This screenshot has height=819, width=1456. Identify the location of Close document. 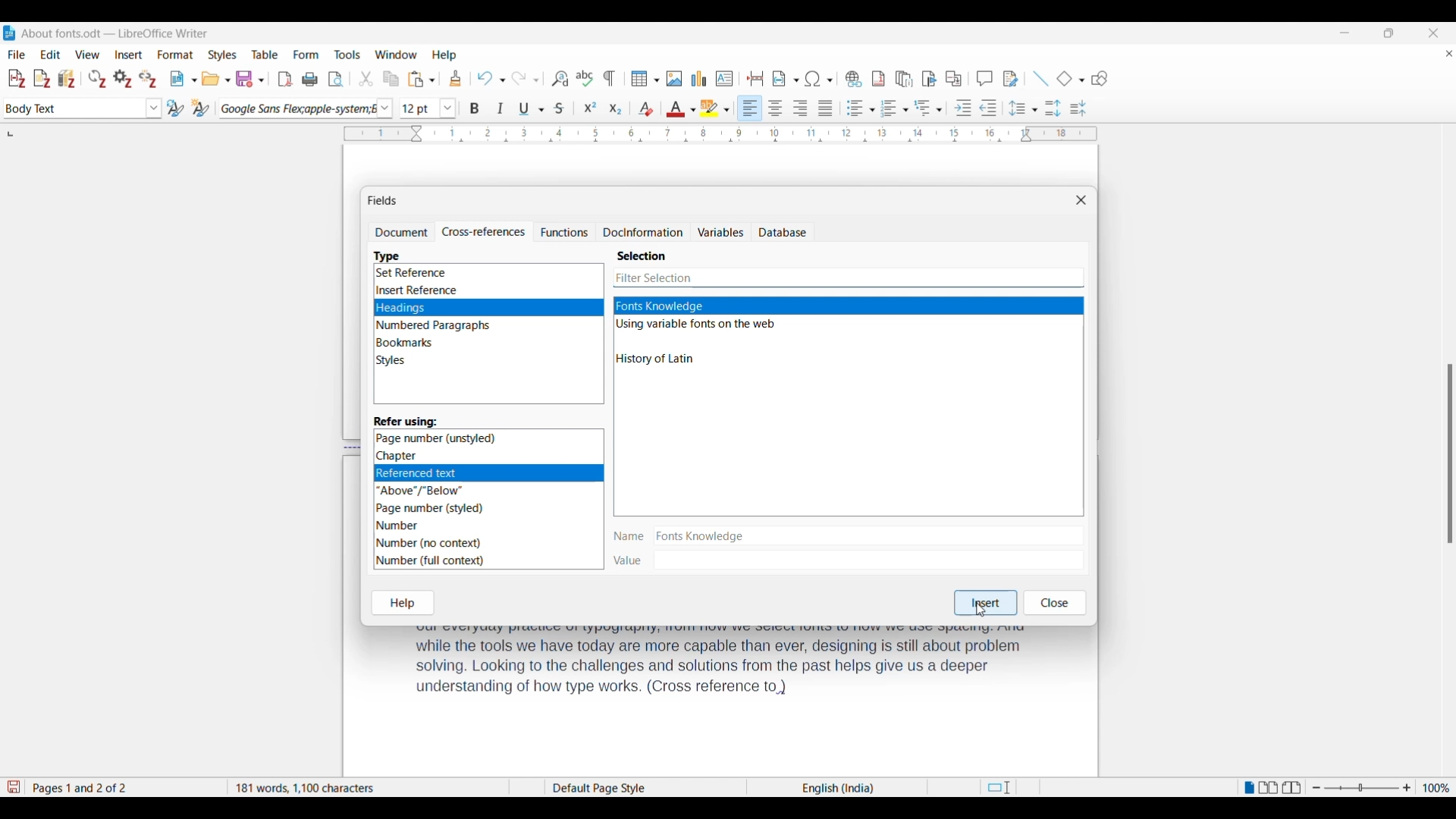
(1449, 56).